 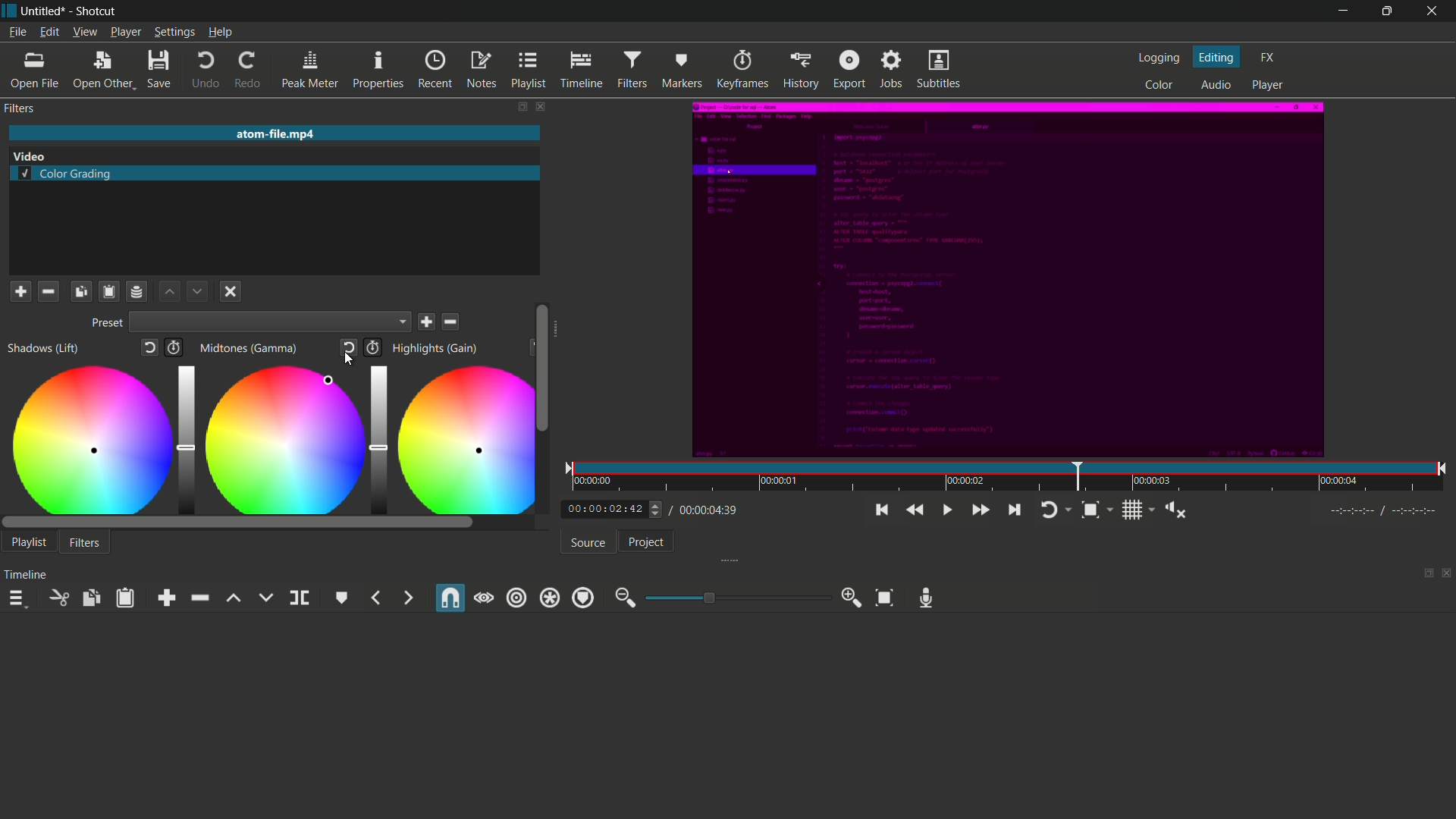 I want to click on edit menu, so click(x=49, y=31).